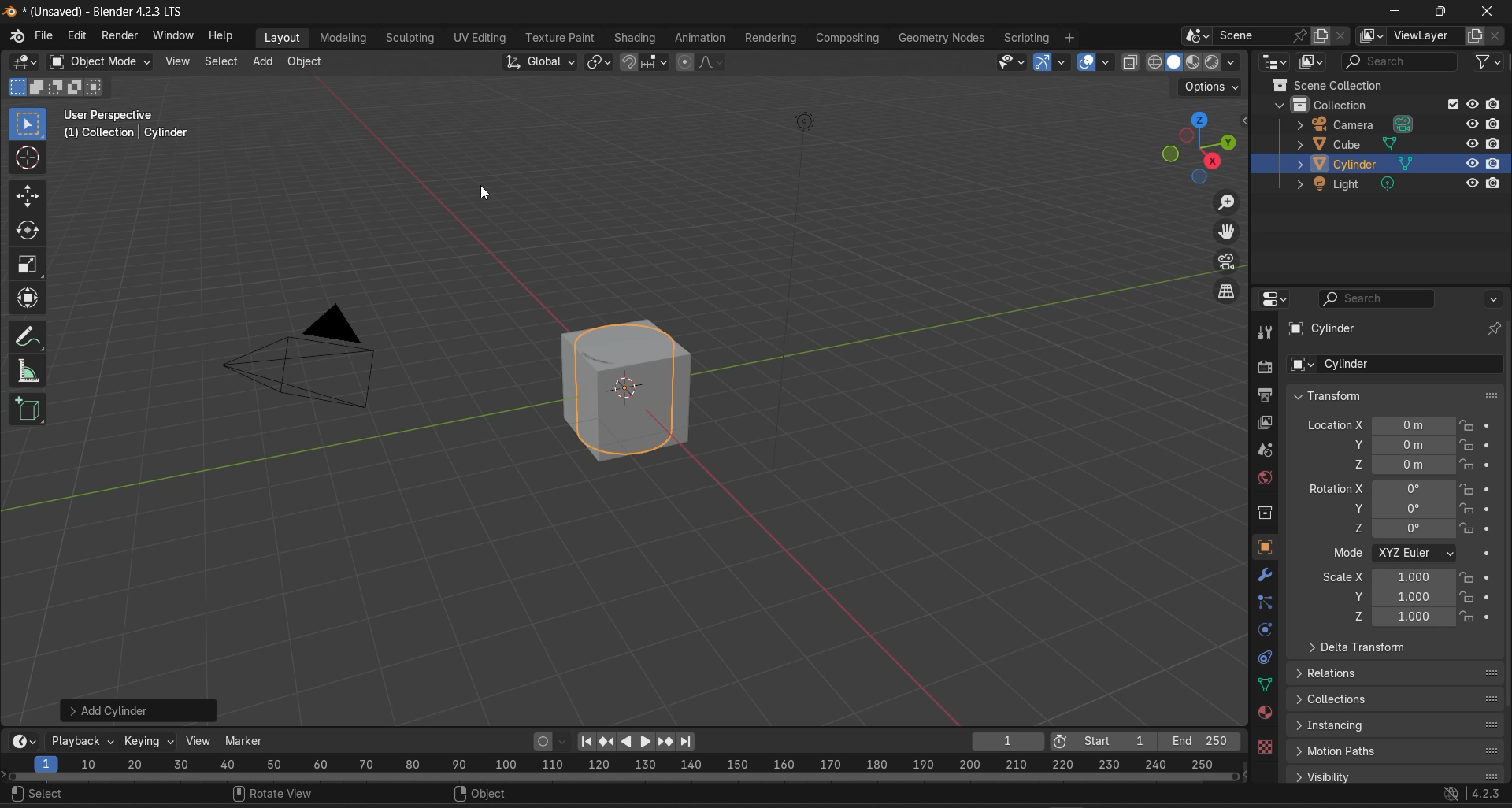  Describe the element at coordinates (140, 711) in the screenshot. I see ` Add Cylinder ` at that location.